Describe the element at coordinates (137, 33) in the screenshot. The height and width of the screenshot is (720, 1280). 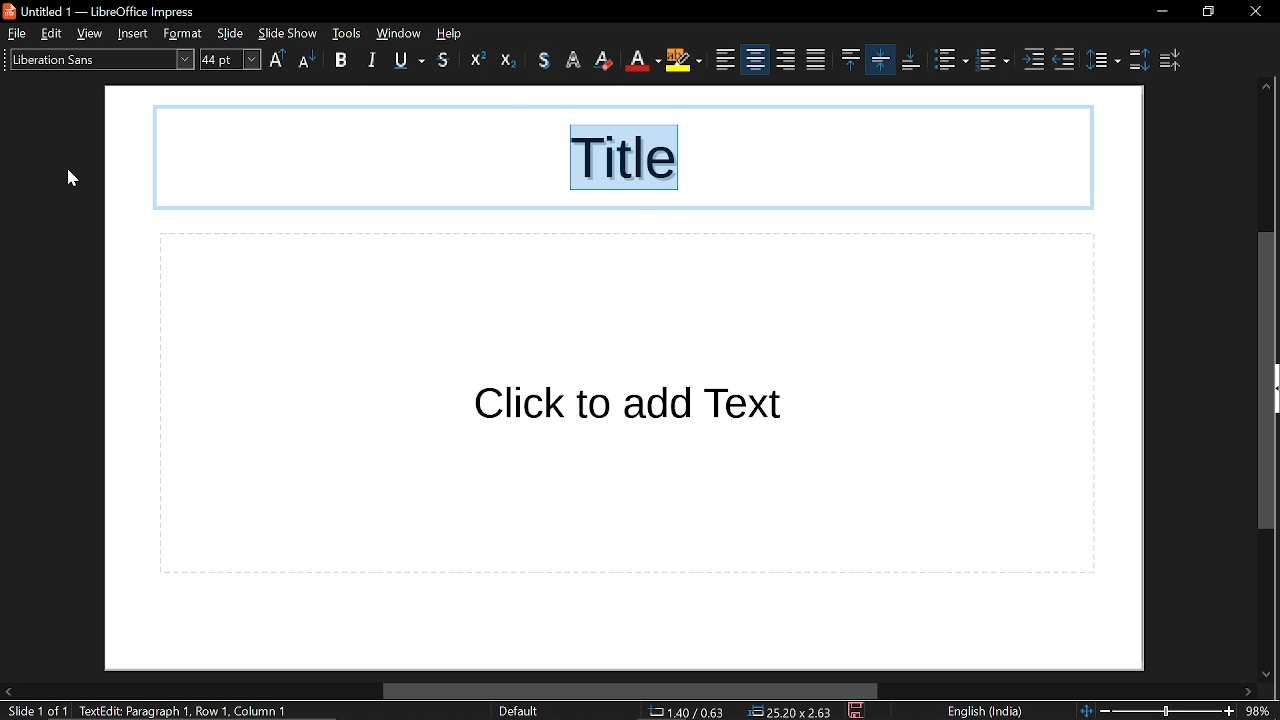
I see `insert` at that location.